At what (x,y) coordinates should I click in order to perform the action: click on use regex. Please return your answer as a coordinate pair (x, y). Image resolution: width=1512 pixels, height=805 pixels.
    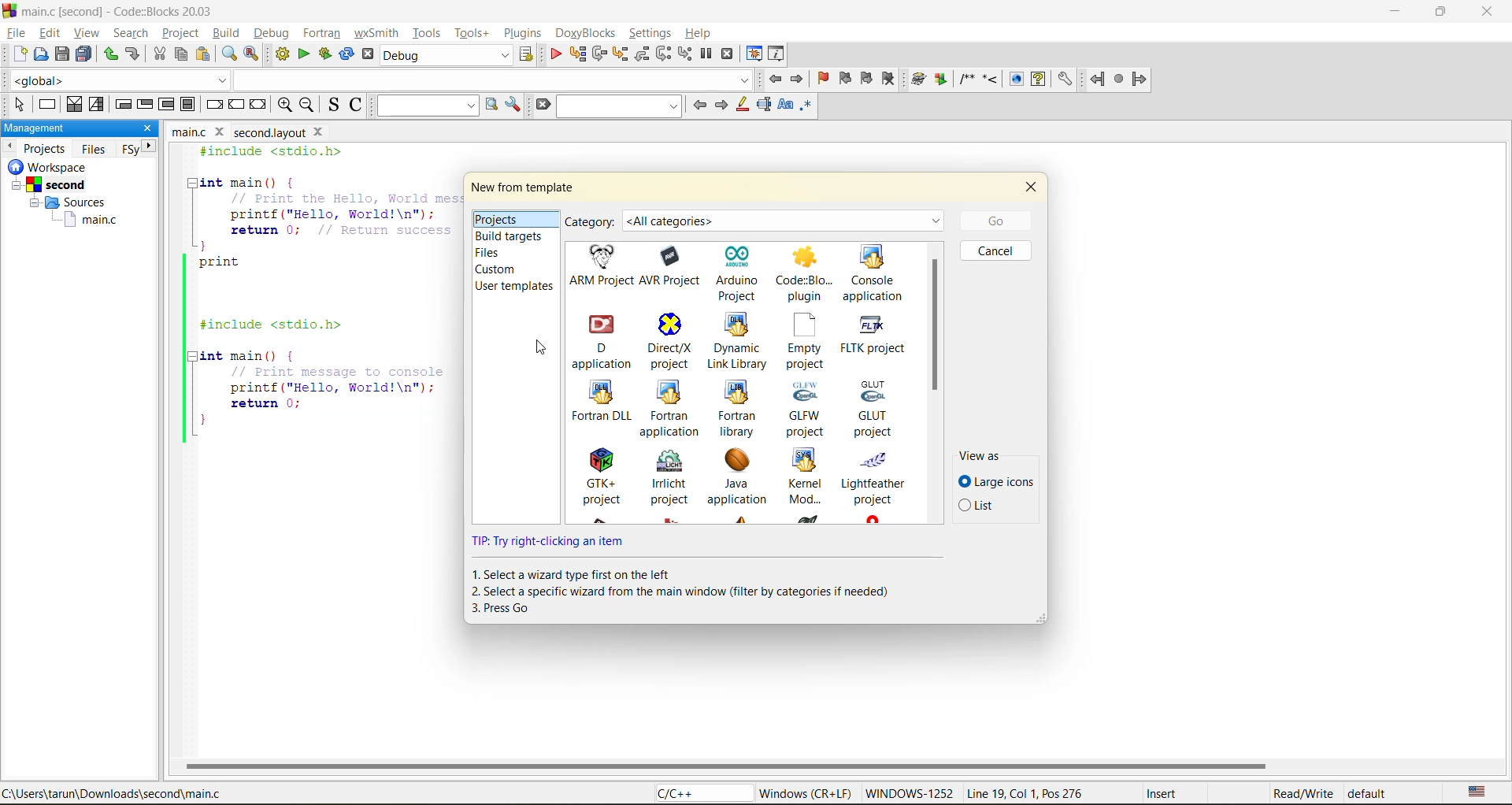
    Looking at the image, I should click on (807, 108).